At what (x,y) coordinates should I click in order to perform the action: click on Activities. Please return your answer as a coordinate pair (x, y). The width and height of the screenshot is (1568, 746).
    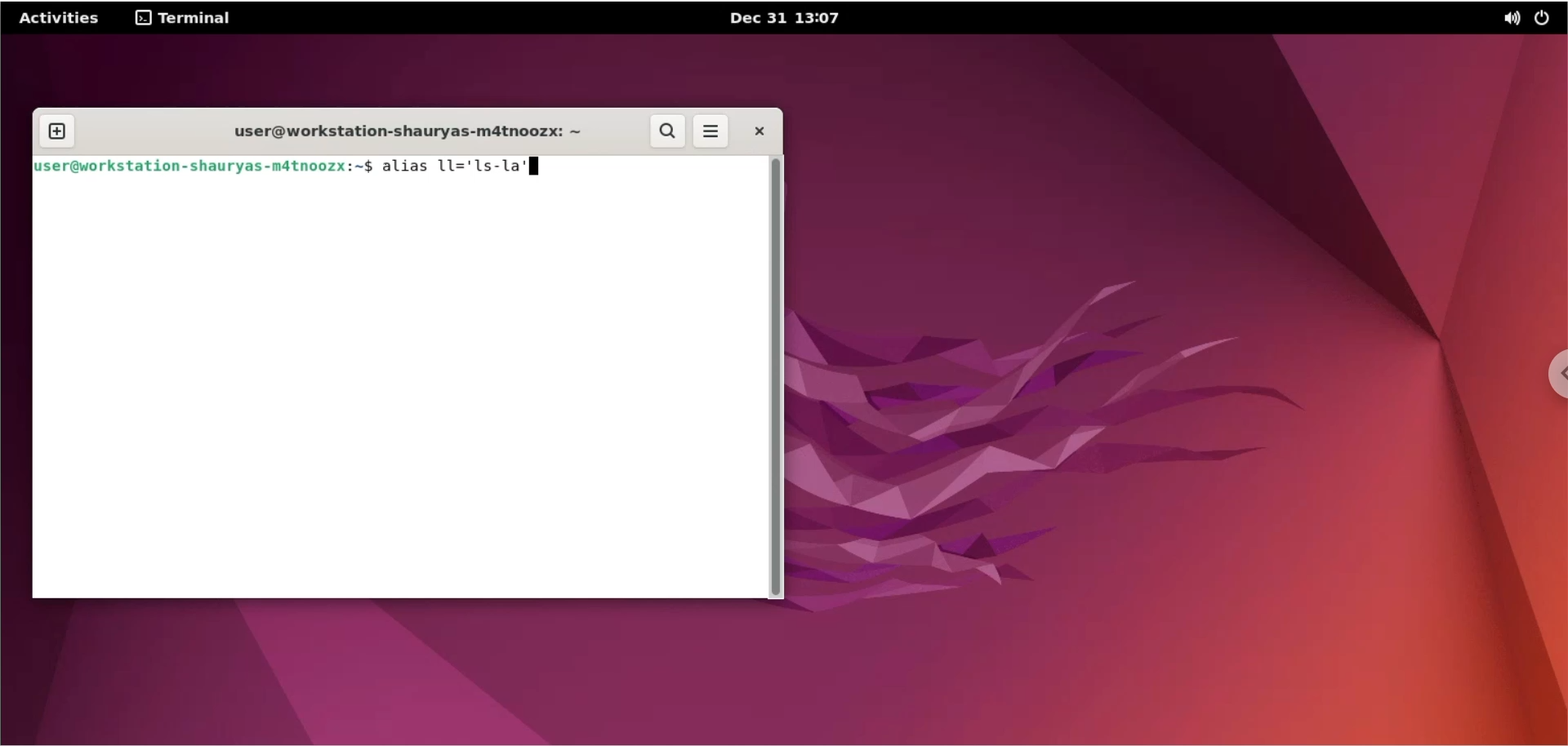
    Looking at the image, I should click on (60, 18).